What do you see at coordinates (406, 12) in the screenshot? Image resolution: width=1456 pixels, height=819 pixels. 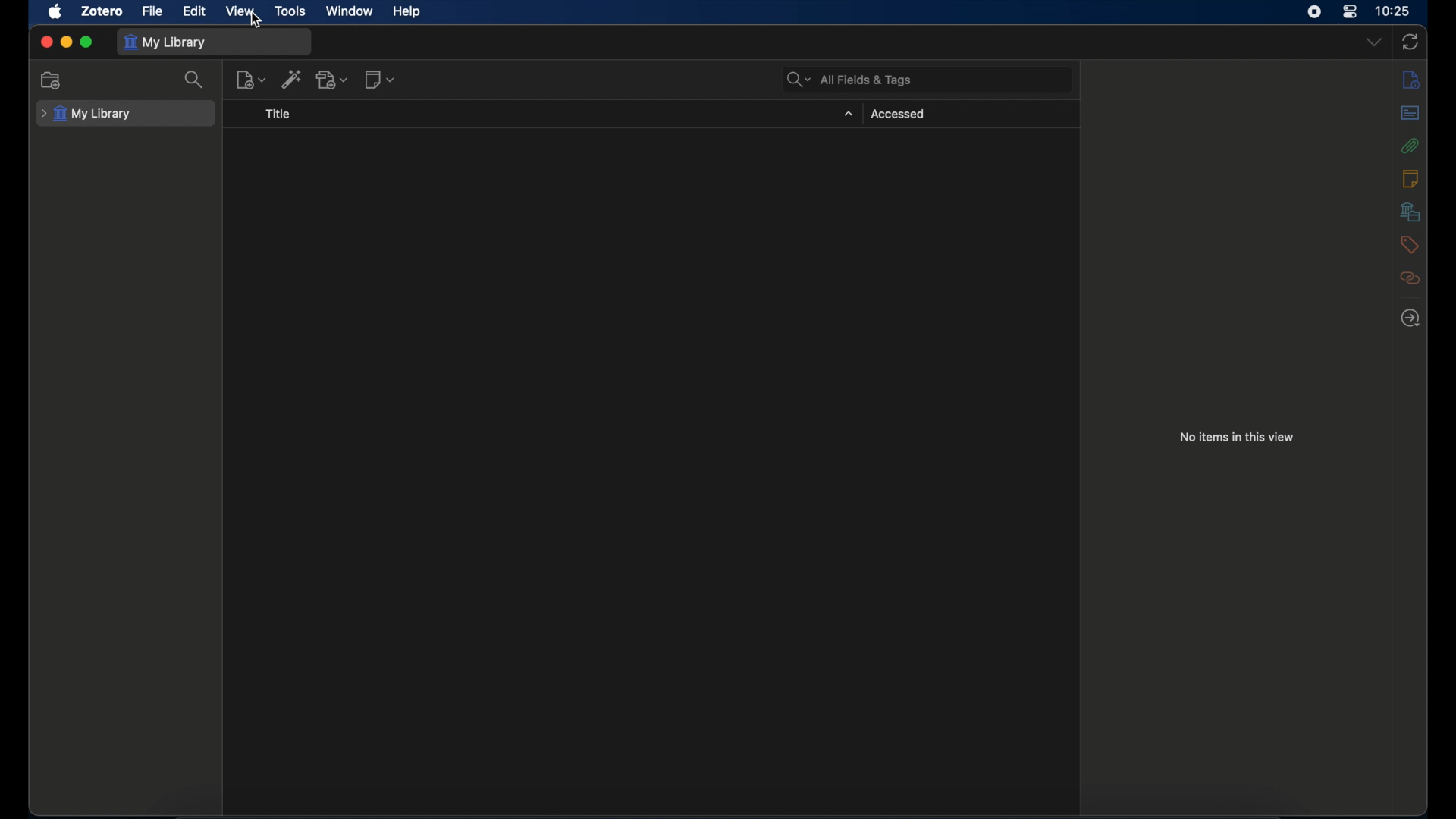 I see `help` at bounding box center [406, 12].